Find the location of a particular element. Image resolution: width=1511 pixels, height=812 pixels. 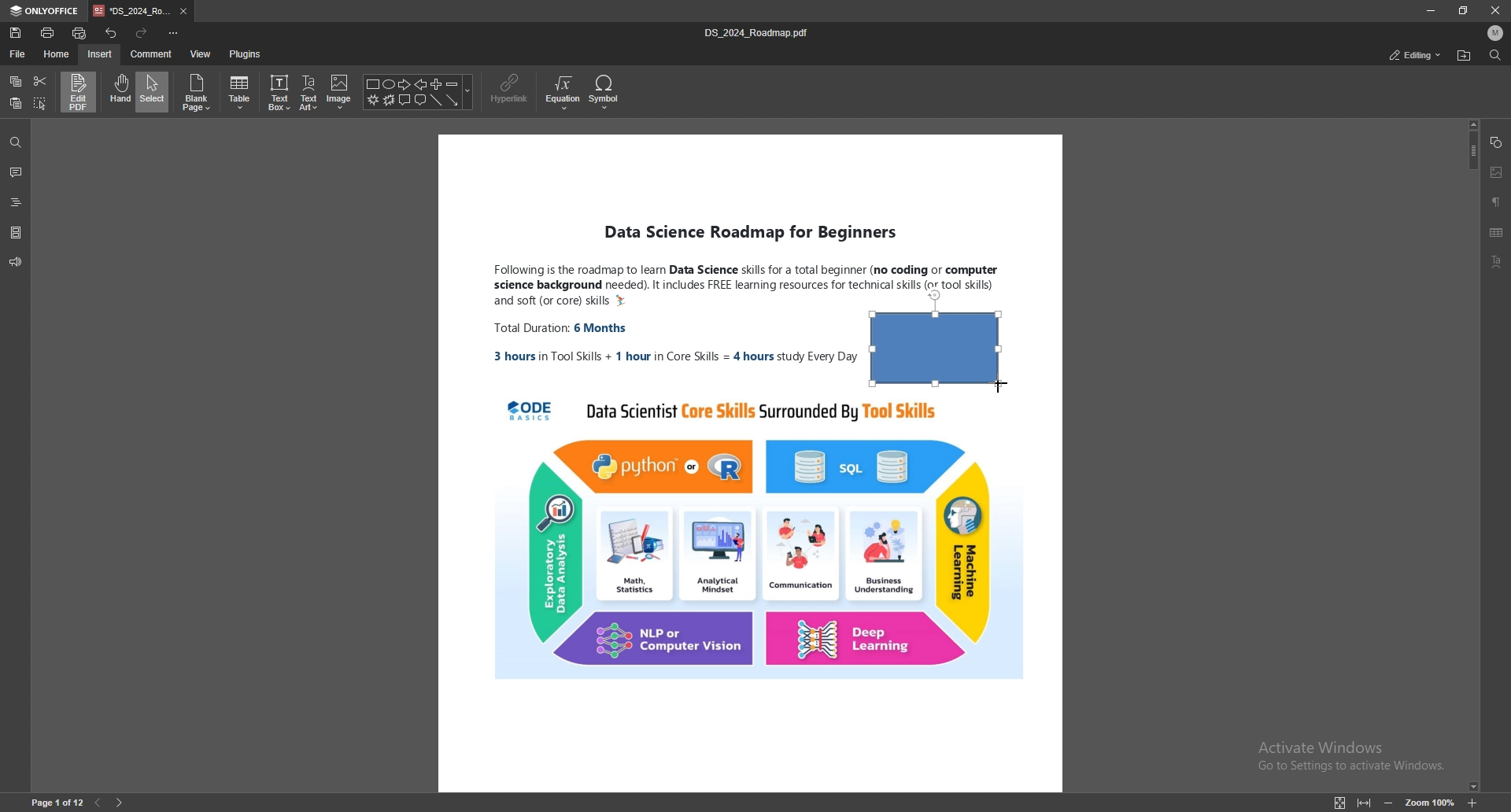

hand is located at coordinates (119, 92).